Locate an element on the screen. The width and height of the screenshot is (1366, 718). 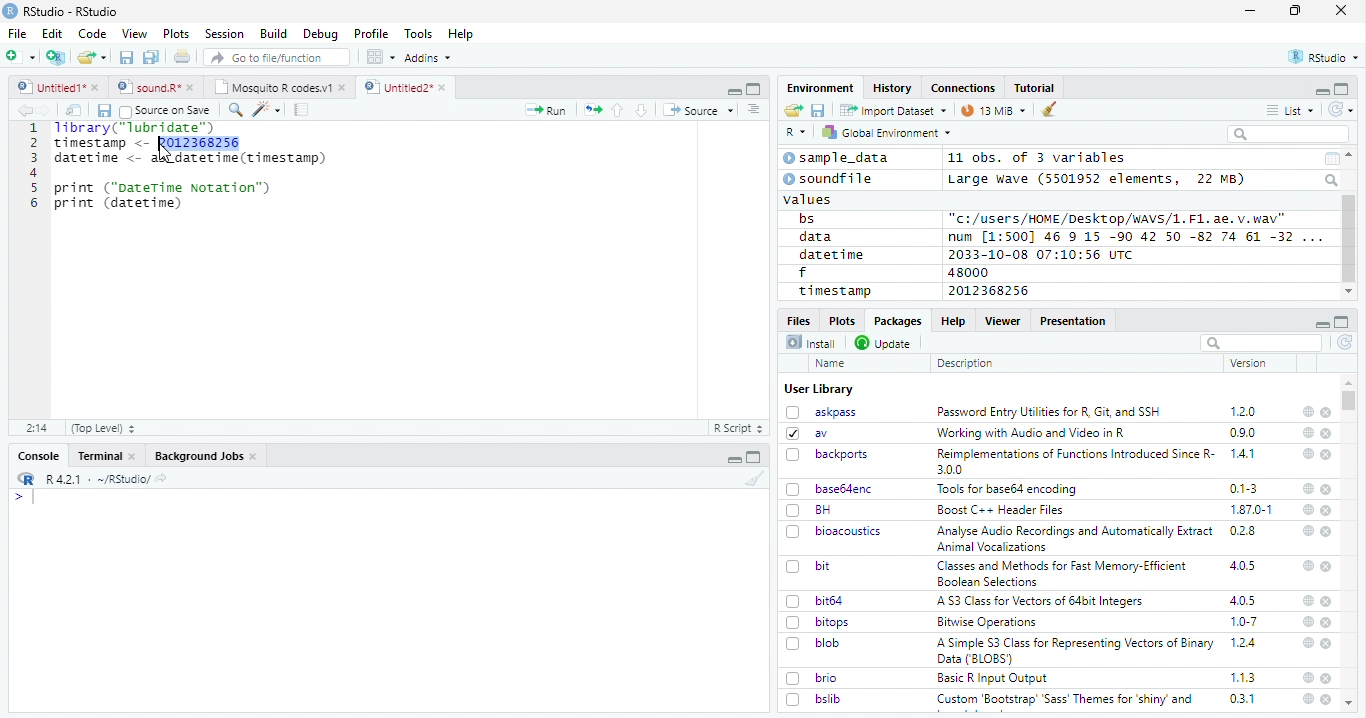
values is located at coordinates (809, 198).